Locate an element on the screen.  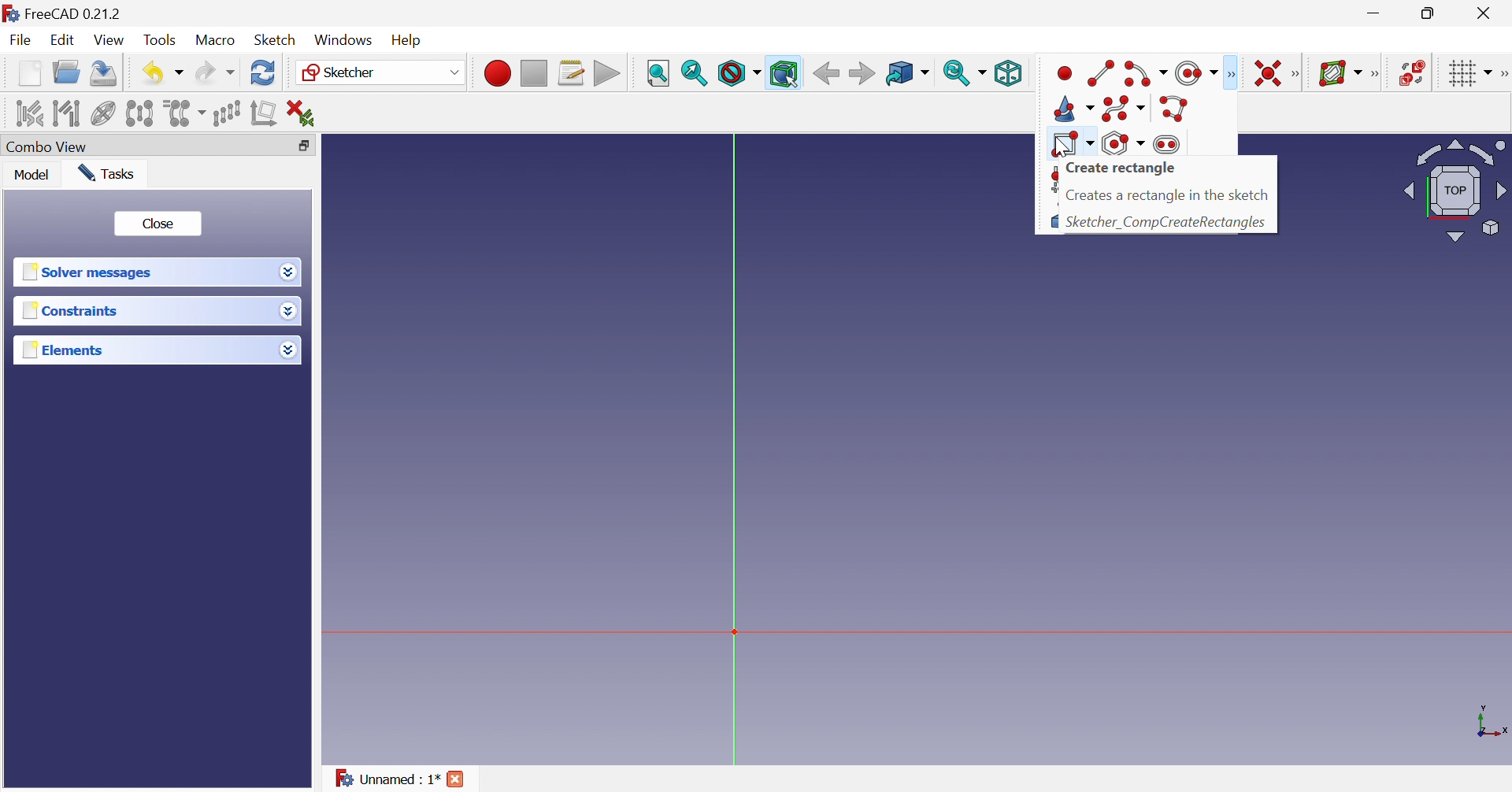
Viewing angle is located at coordinates (1455, 192).